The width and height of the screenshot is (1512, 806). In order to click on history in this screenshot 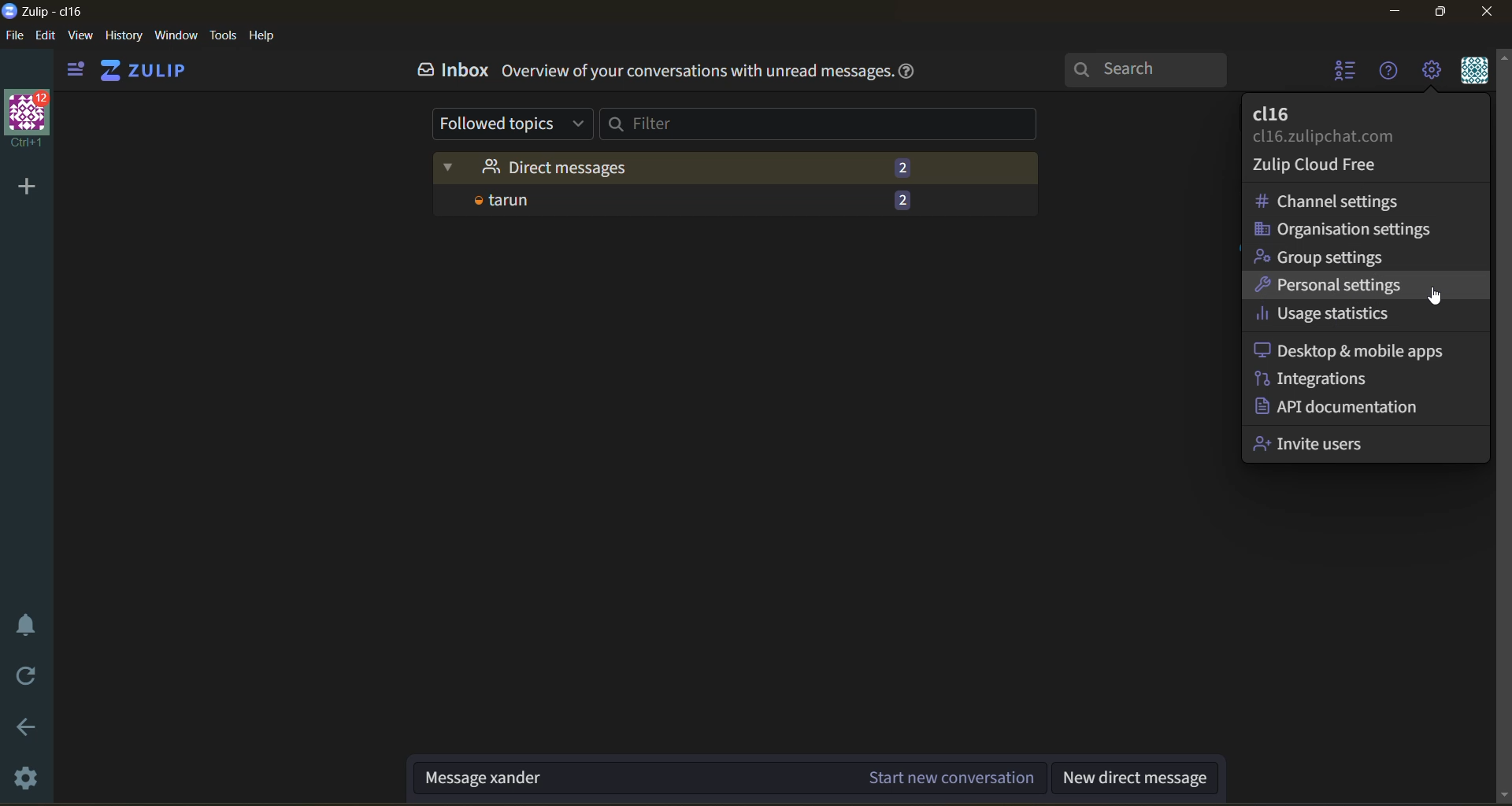, I will do `click(124, 38)`.